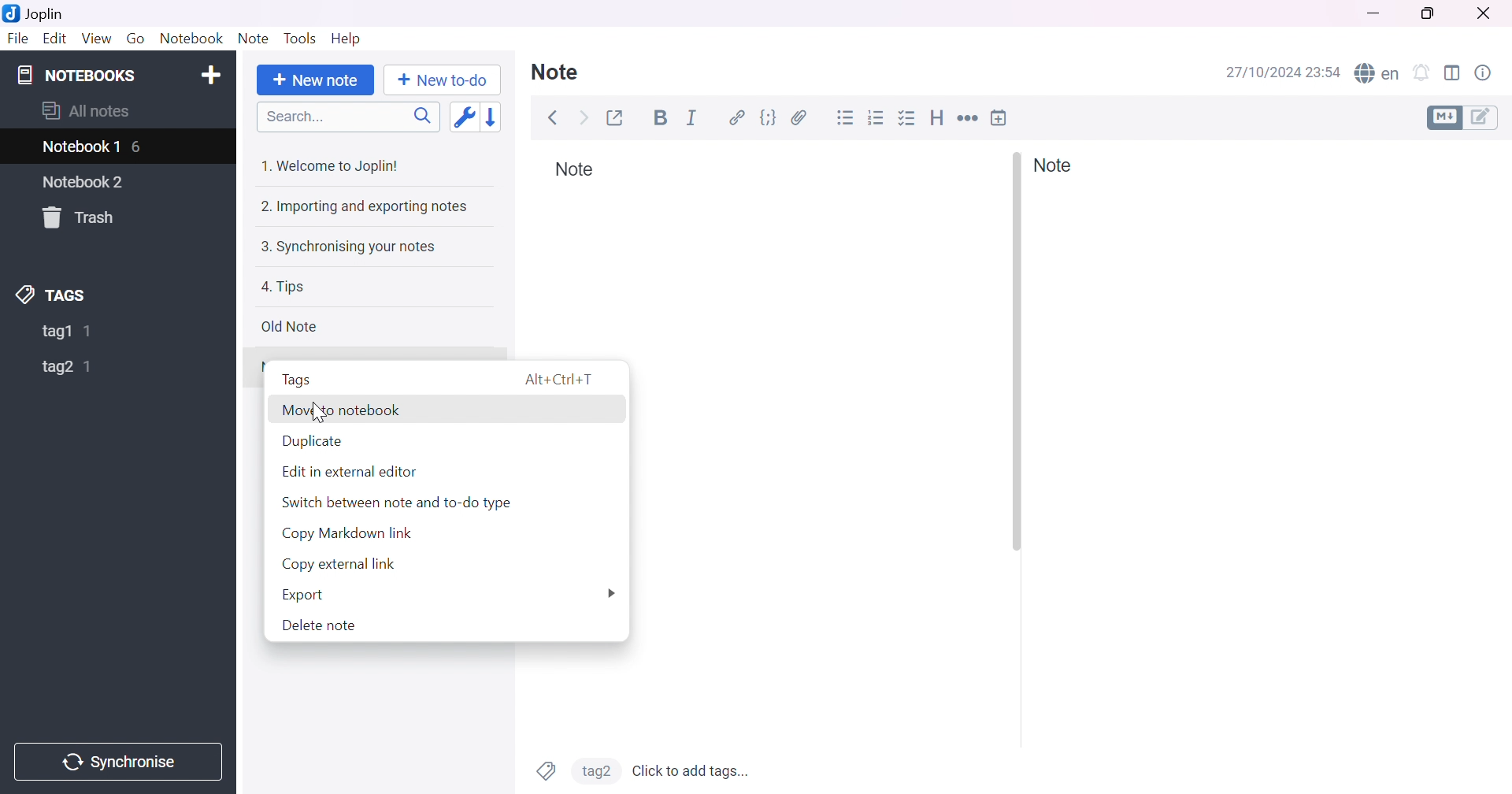  What do you see at coordinates (343, 410) in the screenshot?
I see `Move to notebook` at bounding box center [343, 410].